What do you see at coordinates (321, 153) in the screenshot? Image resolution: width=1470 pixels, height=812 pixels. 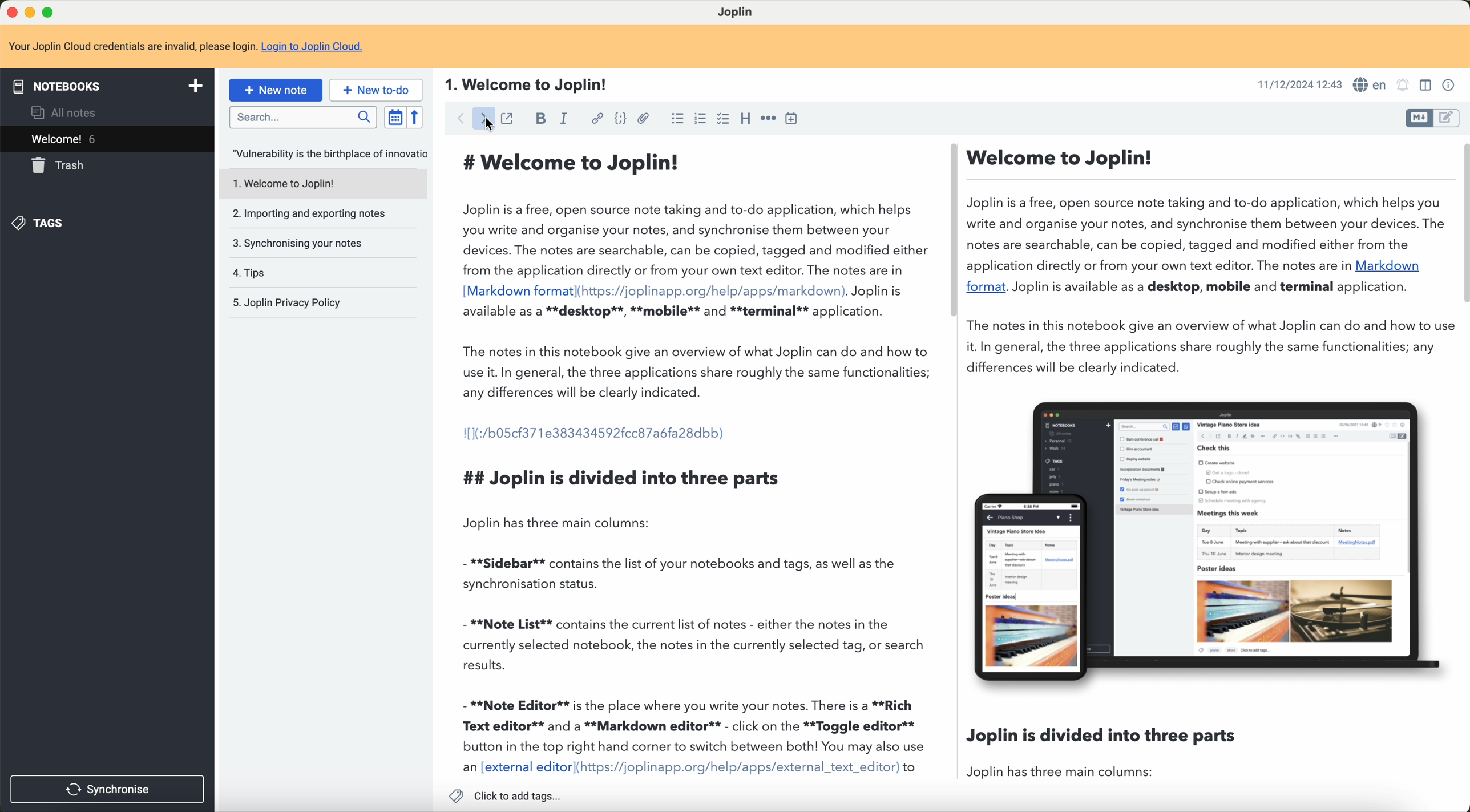 I see `note opened` at bounding box center [321, 153].